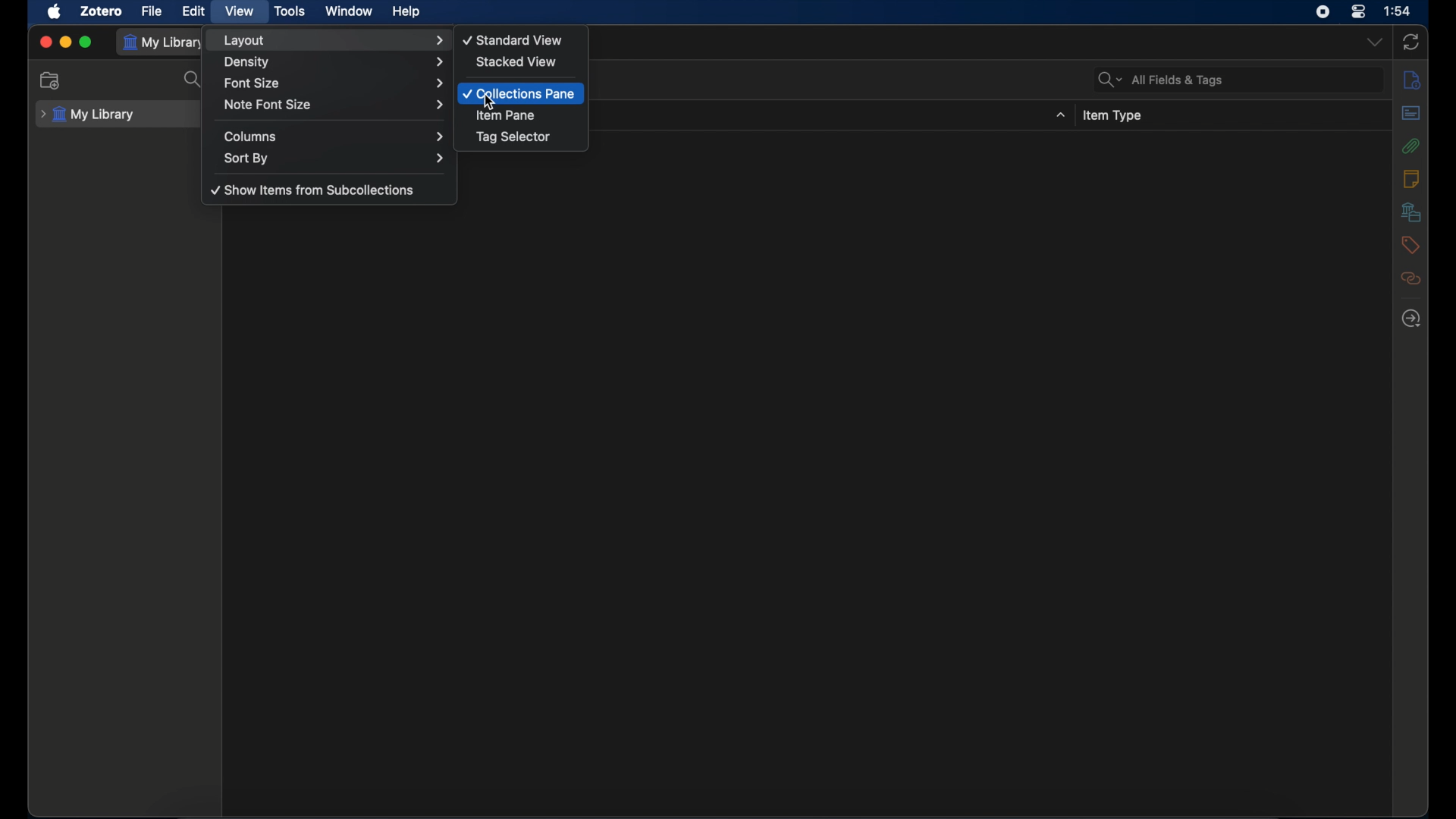  Describe the element at coordinates (44, 42) in the screenshot. I see `close` at that location.